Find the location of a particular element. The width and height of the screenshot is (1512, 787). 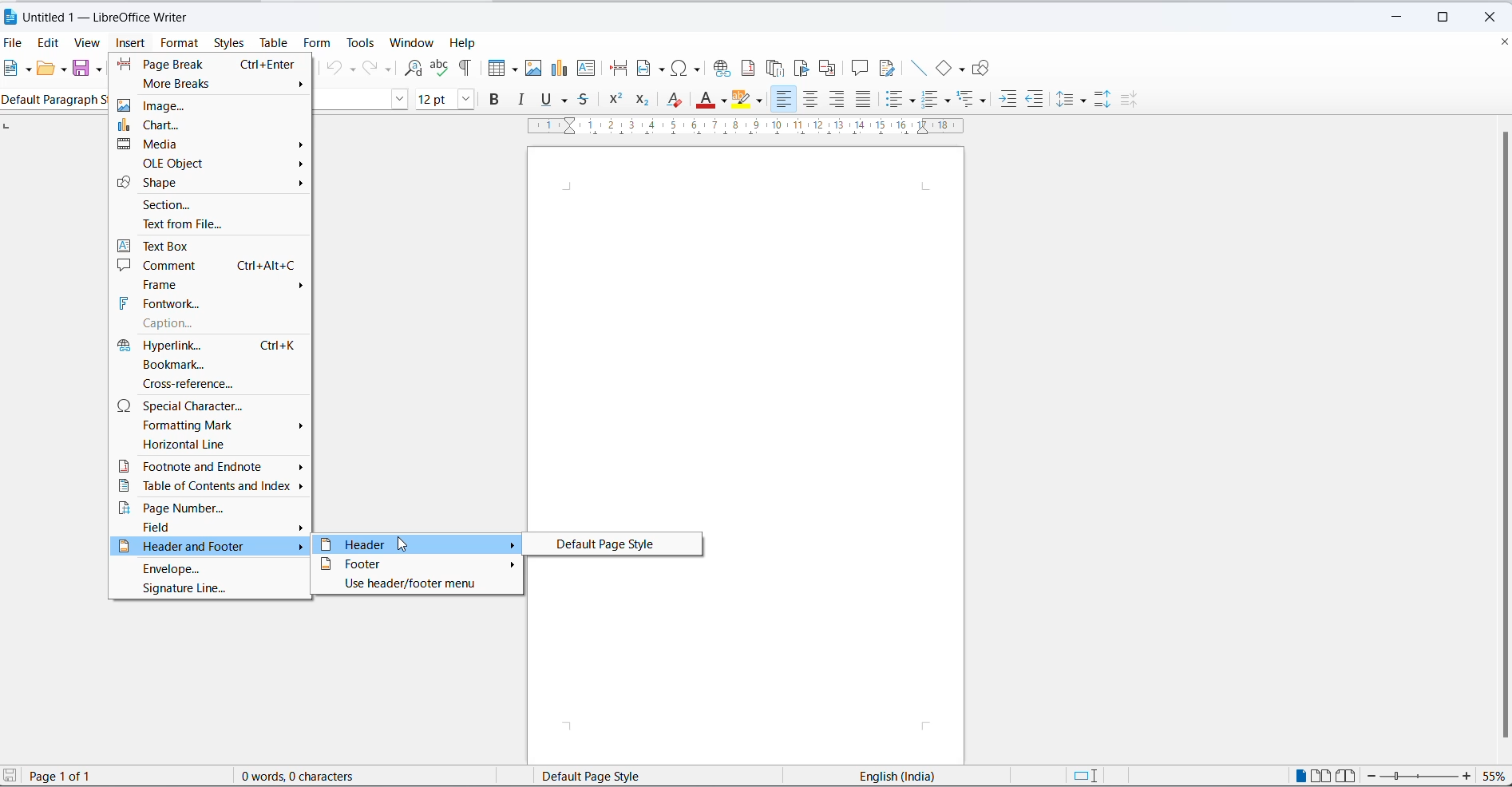

undo is located at coordinates (333, 69).